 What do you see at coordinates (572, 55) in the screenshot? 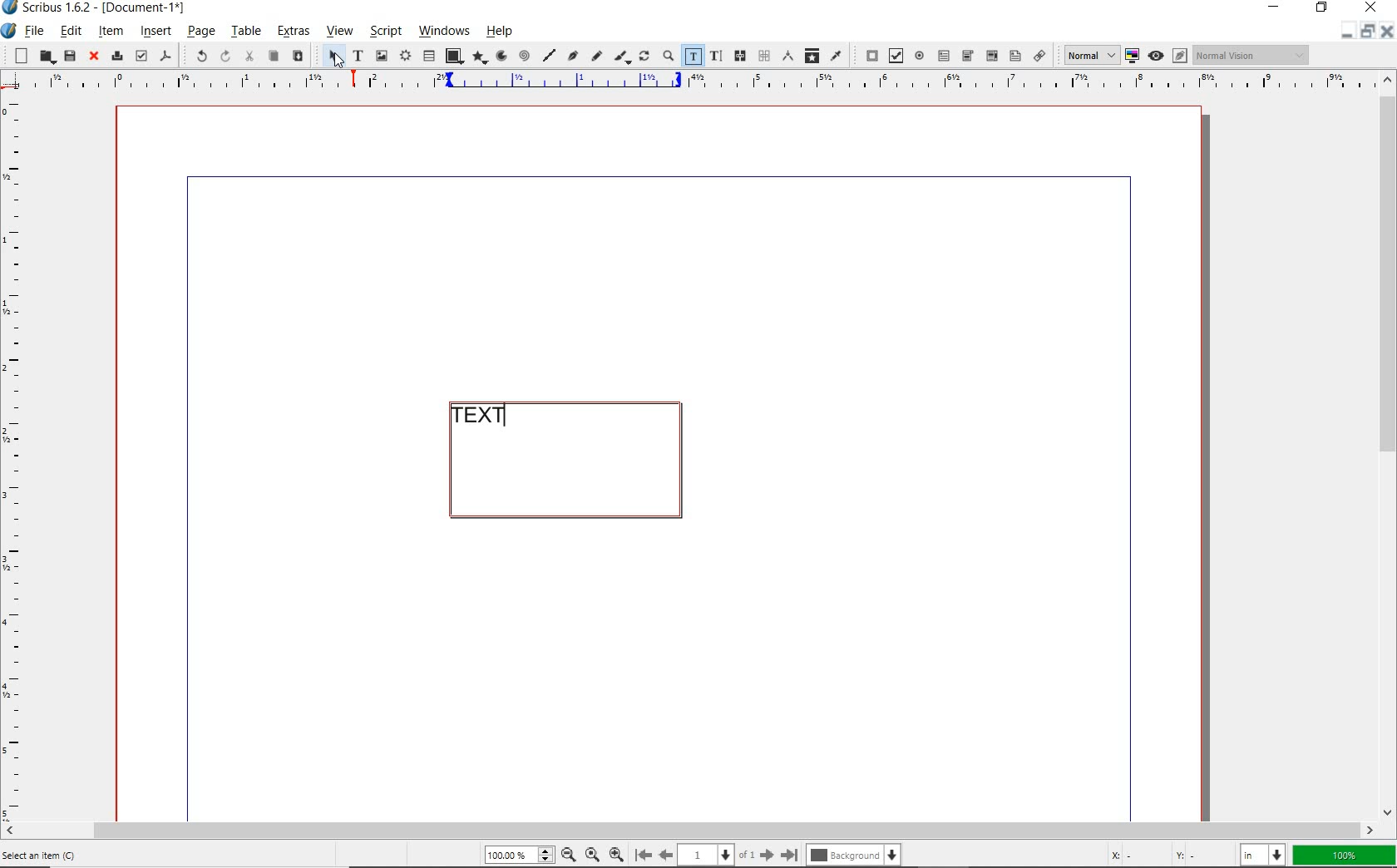
I see `Bezier curve` at bounding box center [572, 55].